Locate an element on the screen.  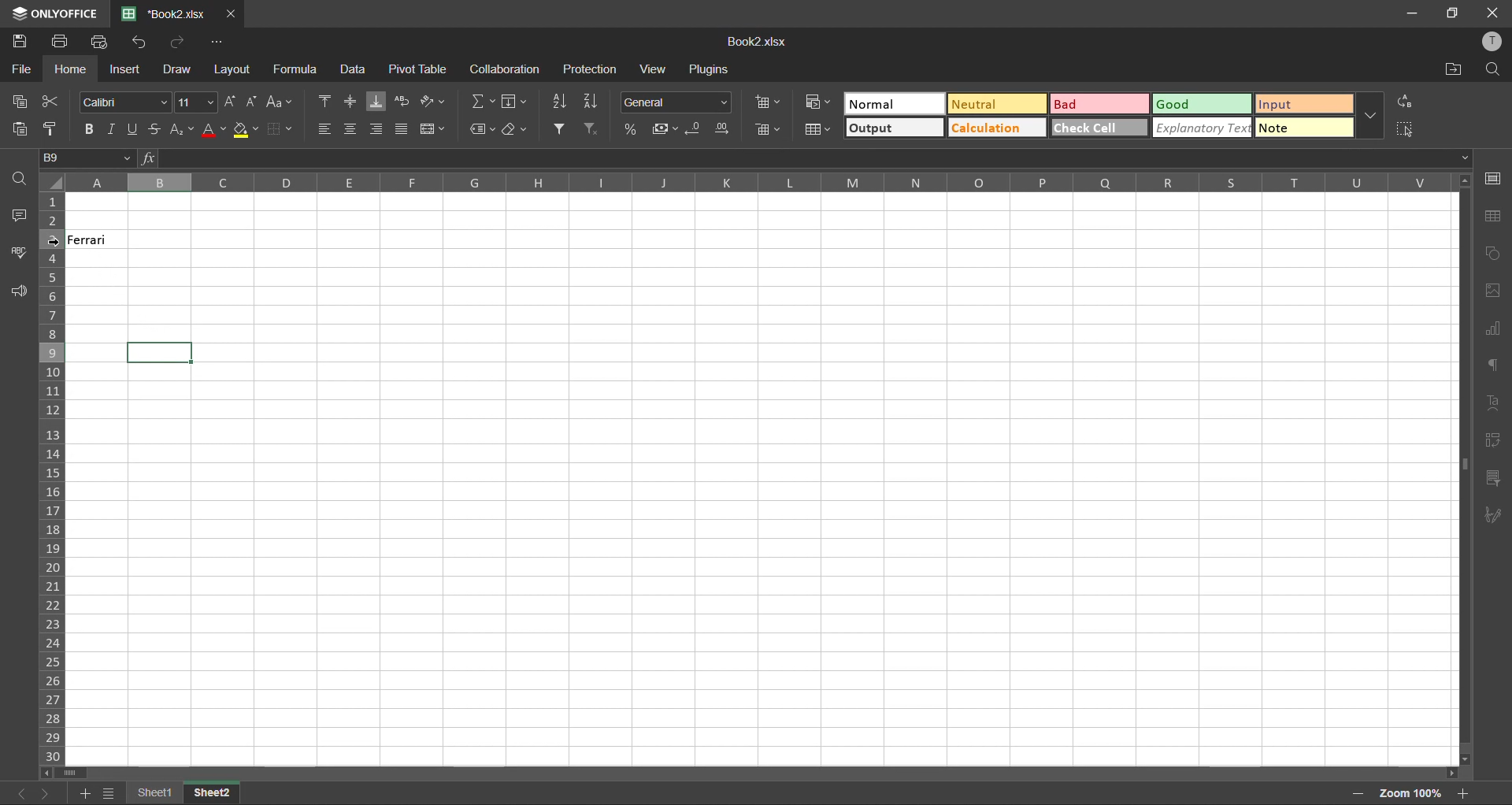
zoom out is located at coordinates (1355, 794).